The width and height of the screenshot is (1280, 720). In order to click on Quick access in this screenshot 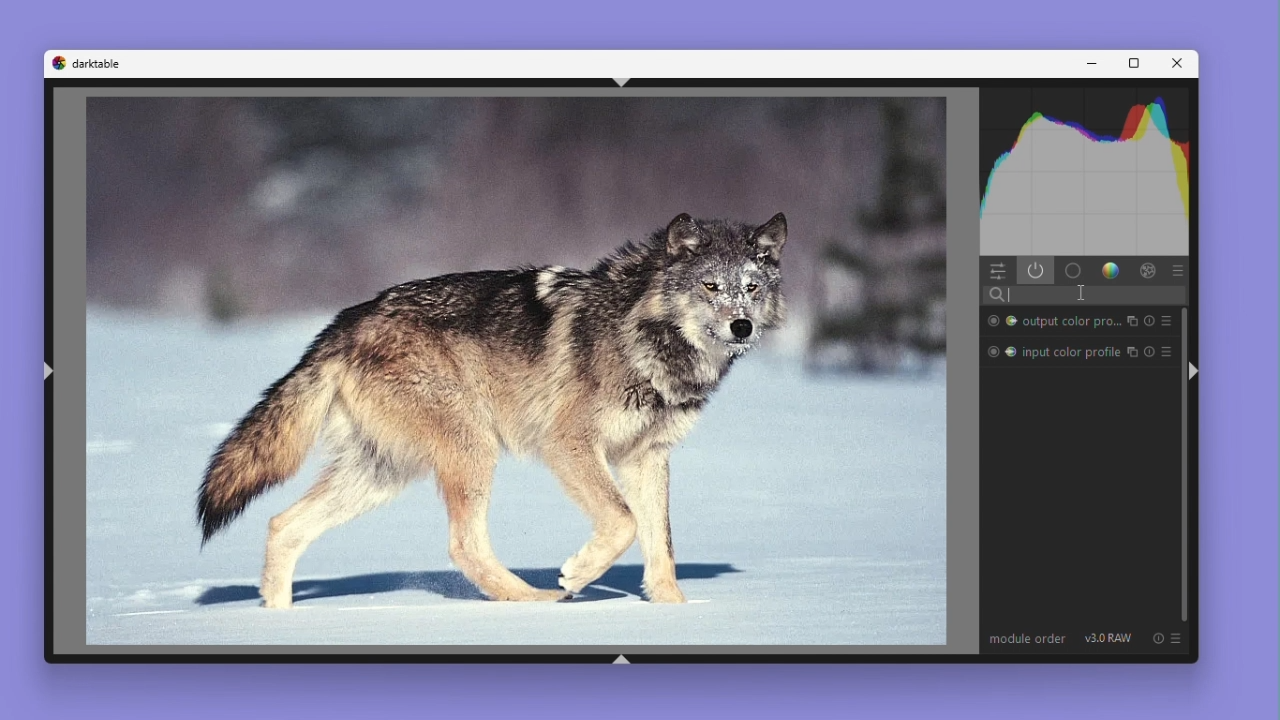, I will do `click(996, 269)`.